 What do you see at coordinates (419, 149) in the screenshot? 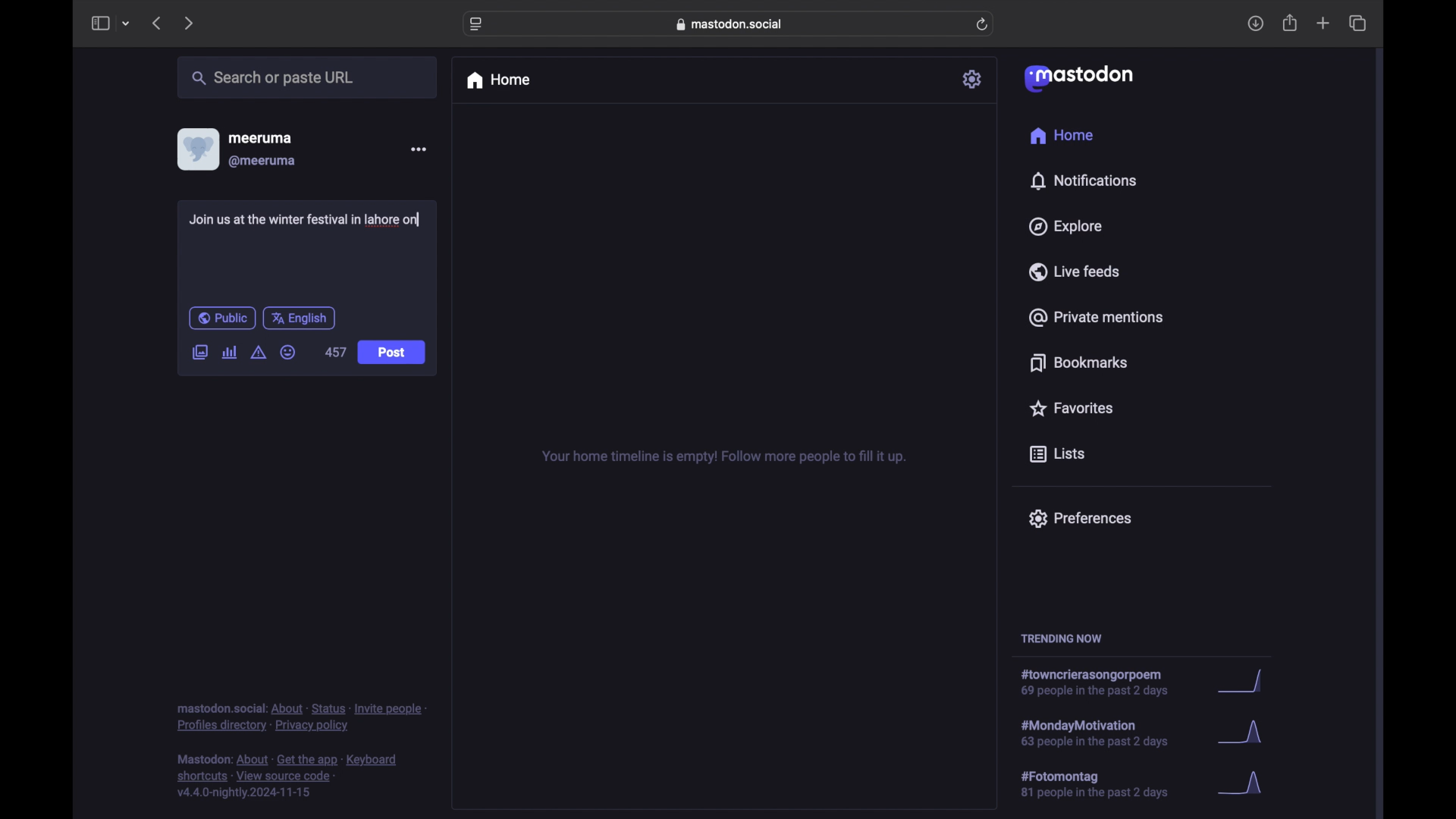
I see `more options` at bounding box center [419, 149].